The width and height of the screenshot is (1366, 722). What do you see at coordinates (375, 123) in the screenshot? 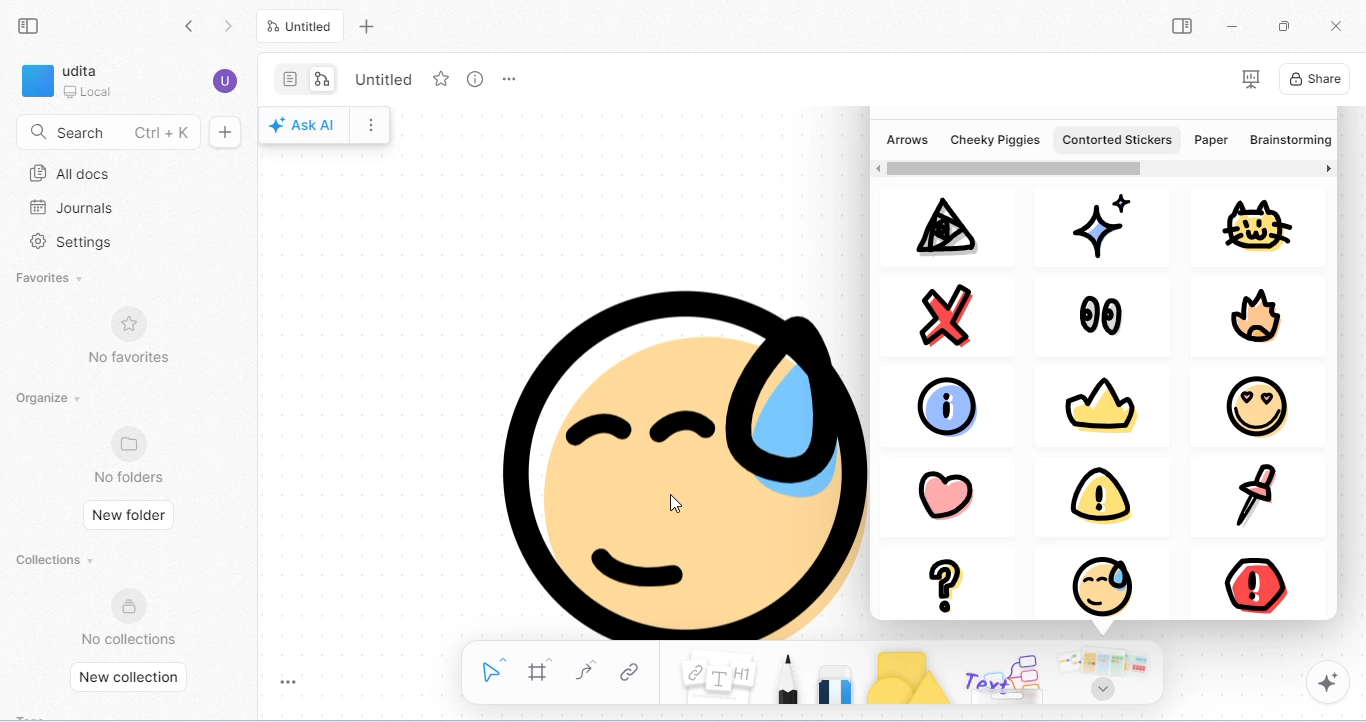
I see `Options` at bounding box center [375, 123].